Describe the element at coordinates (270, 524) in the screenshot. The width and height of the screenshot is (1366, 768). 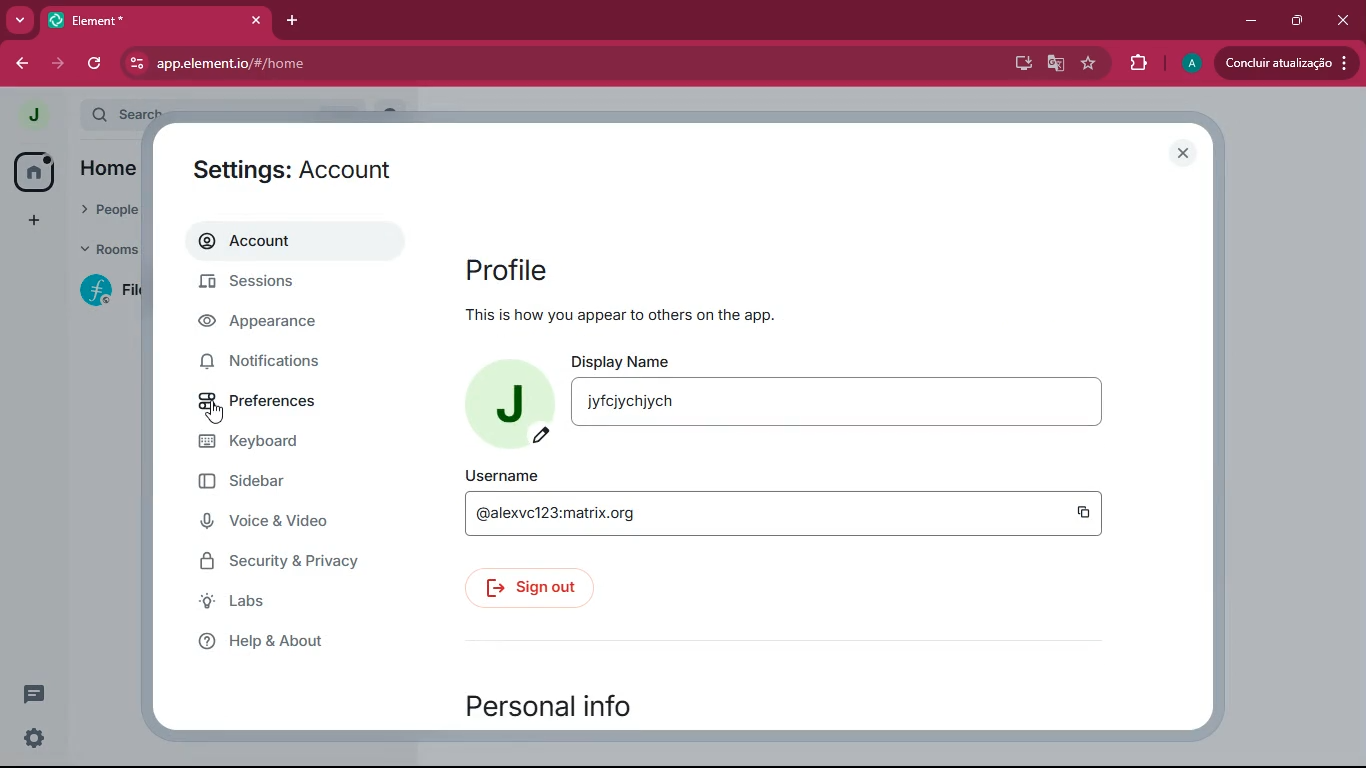
I see `voice & video` at that location.